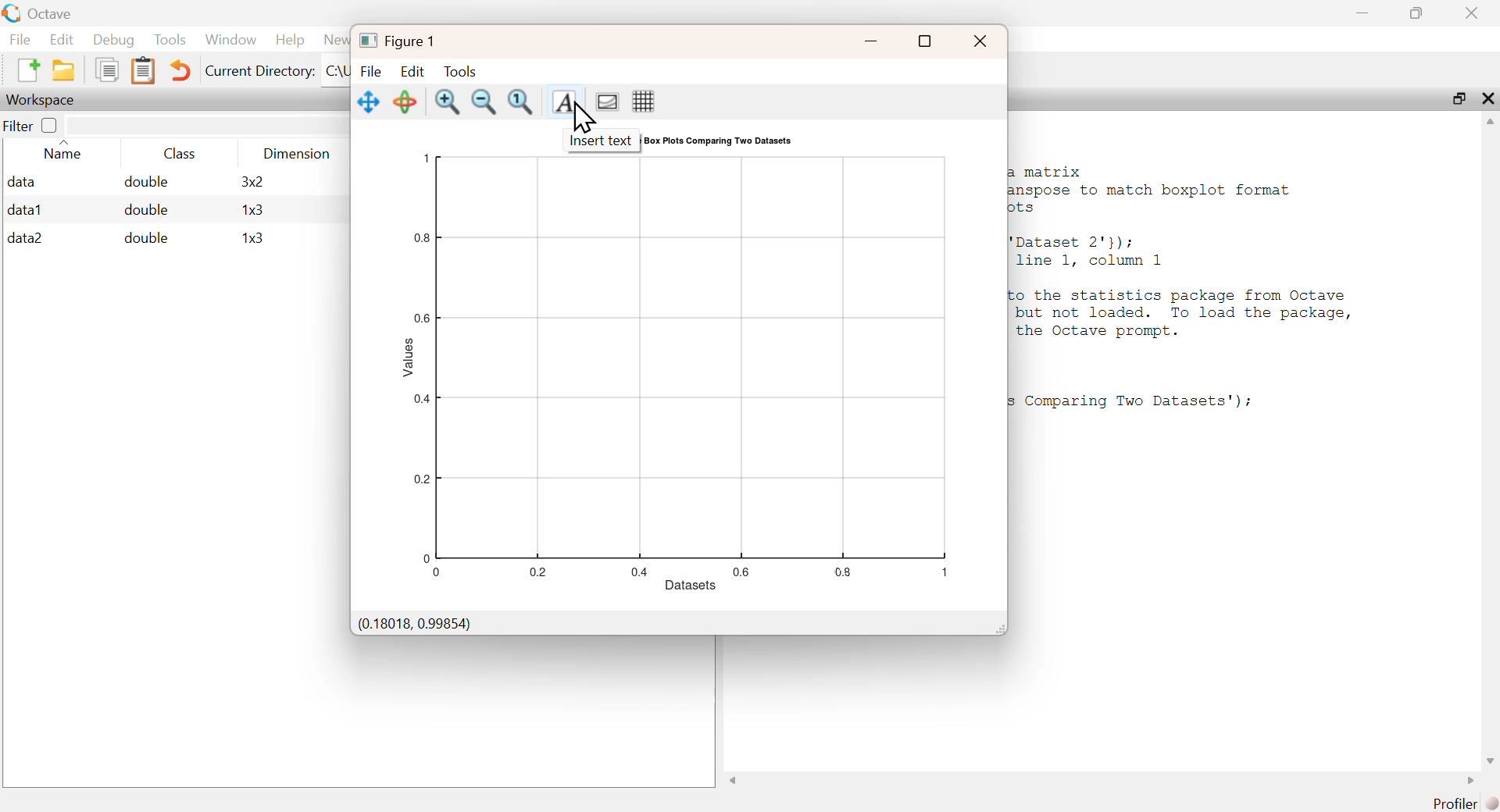 The height and width of the screenshot is (812, 1500). What do you see at coordinates (414, 625) in the screenshot?
I see `(0.18018, 0.99854)` at bounding box center [414, 625].